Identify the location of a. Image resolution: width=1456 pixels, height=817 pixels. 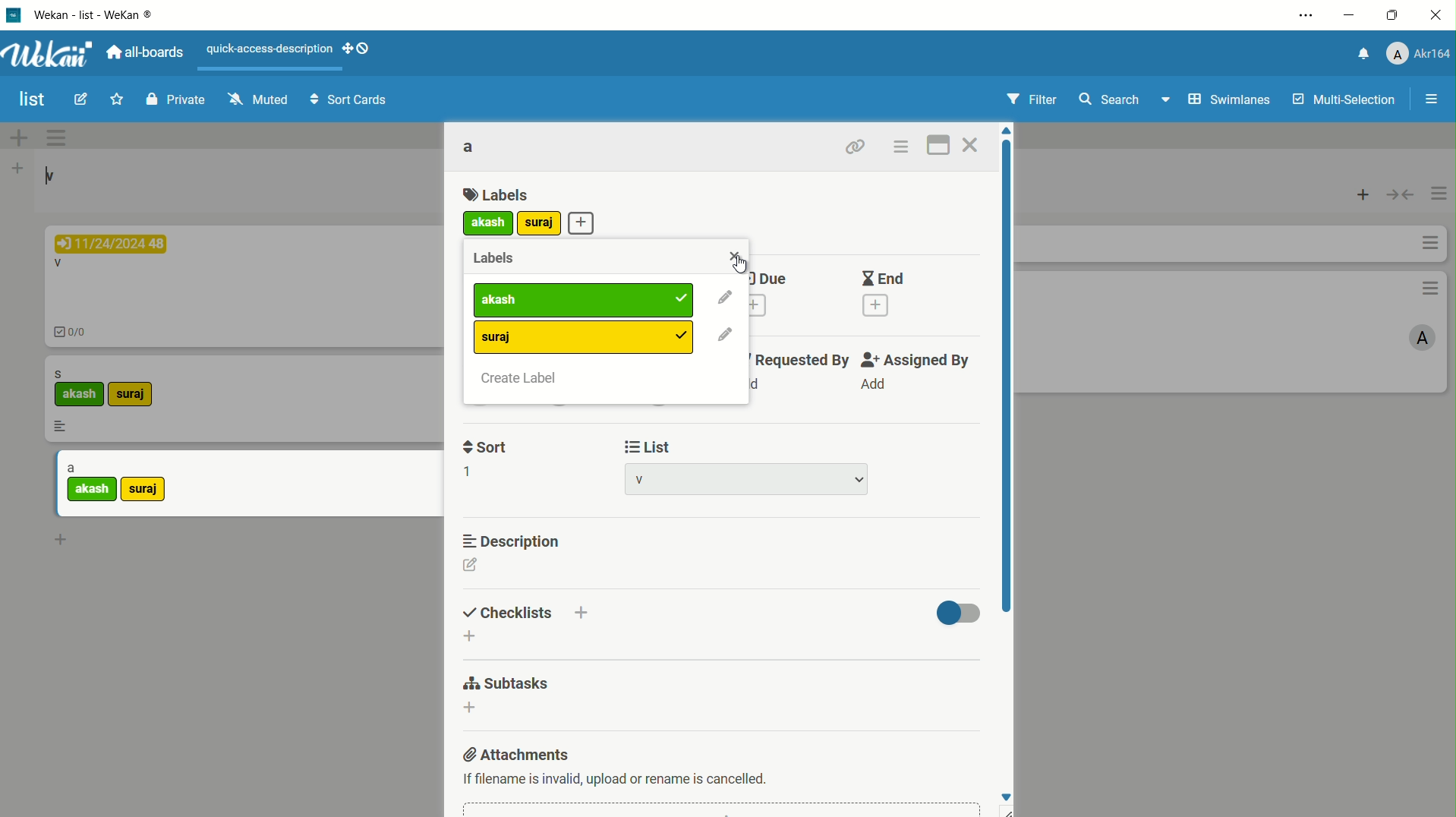
(71, 465).